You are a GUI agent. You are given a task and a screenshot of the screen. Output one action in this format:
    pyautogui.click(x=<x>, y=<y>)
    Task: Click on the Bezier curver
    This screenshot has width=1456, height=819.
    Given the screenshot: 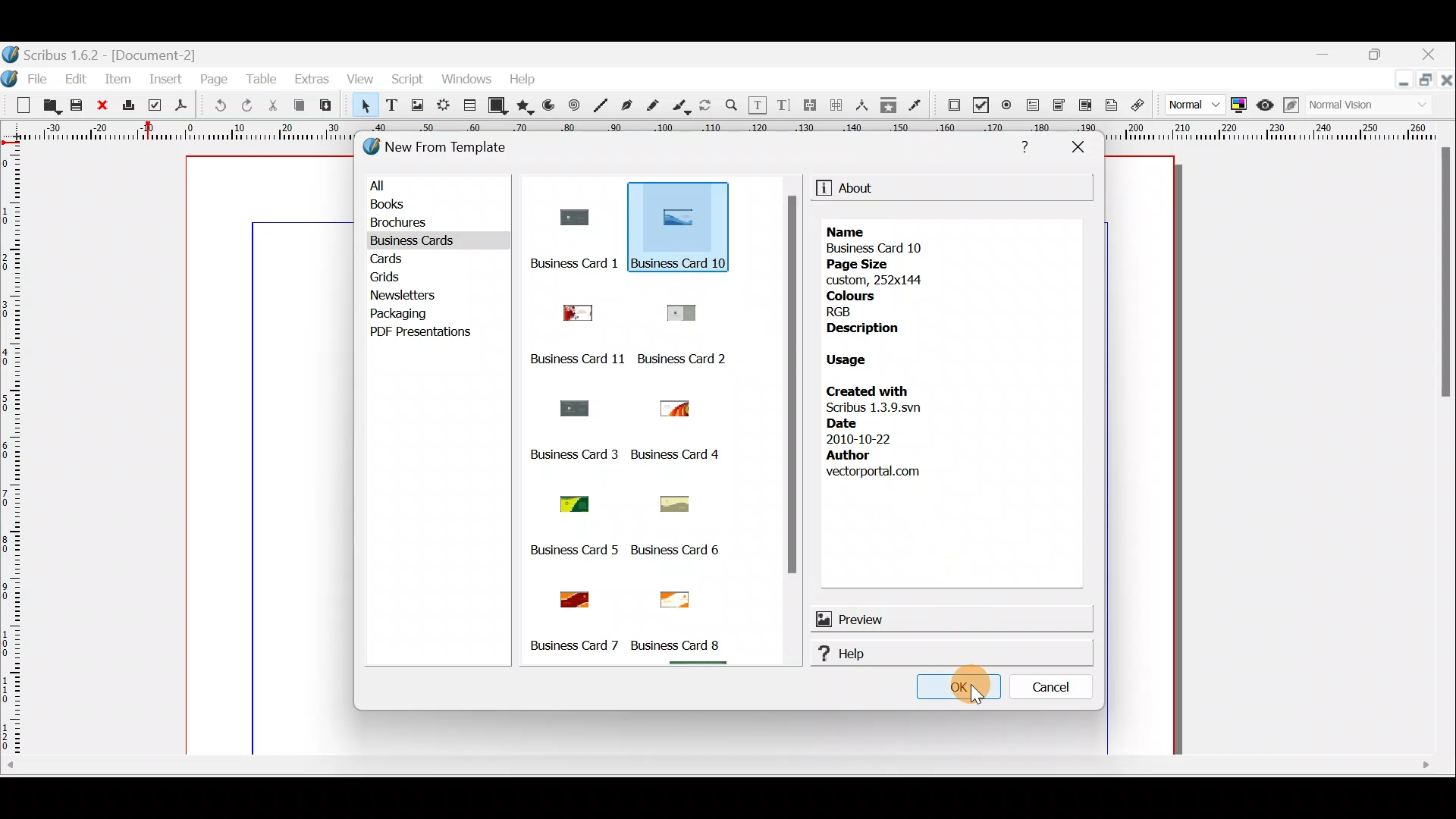 What is the action you would take?
    pyautogui.click(x=627, y=105)
    